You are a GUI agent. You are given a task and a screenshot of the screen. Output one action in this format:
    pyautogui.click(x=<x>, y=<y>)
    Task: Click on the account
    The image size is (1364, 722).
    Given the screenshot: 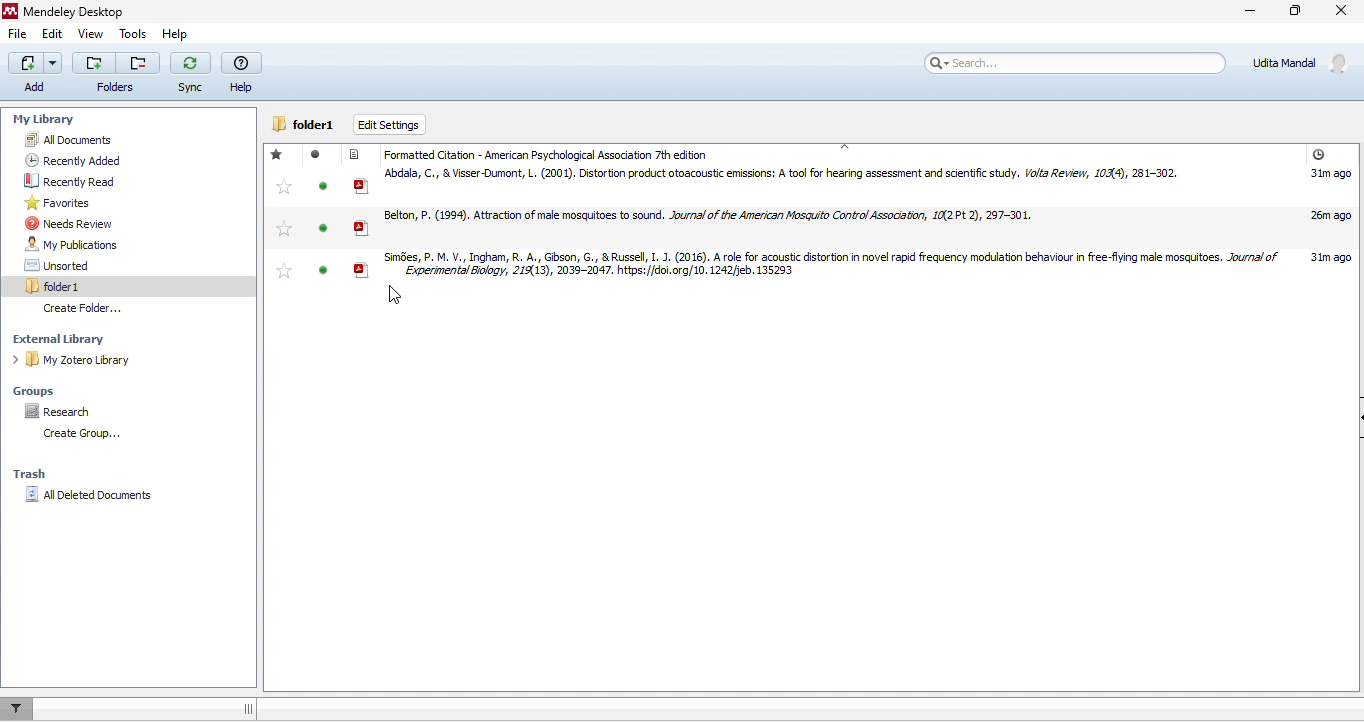 What is the action you would take?
    pyautogui.click(x=1303, y=63)
    